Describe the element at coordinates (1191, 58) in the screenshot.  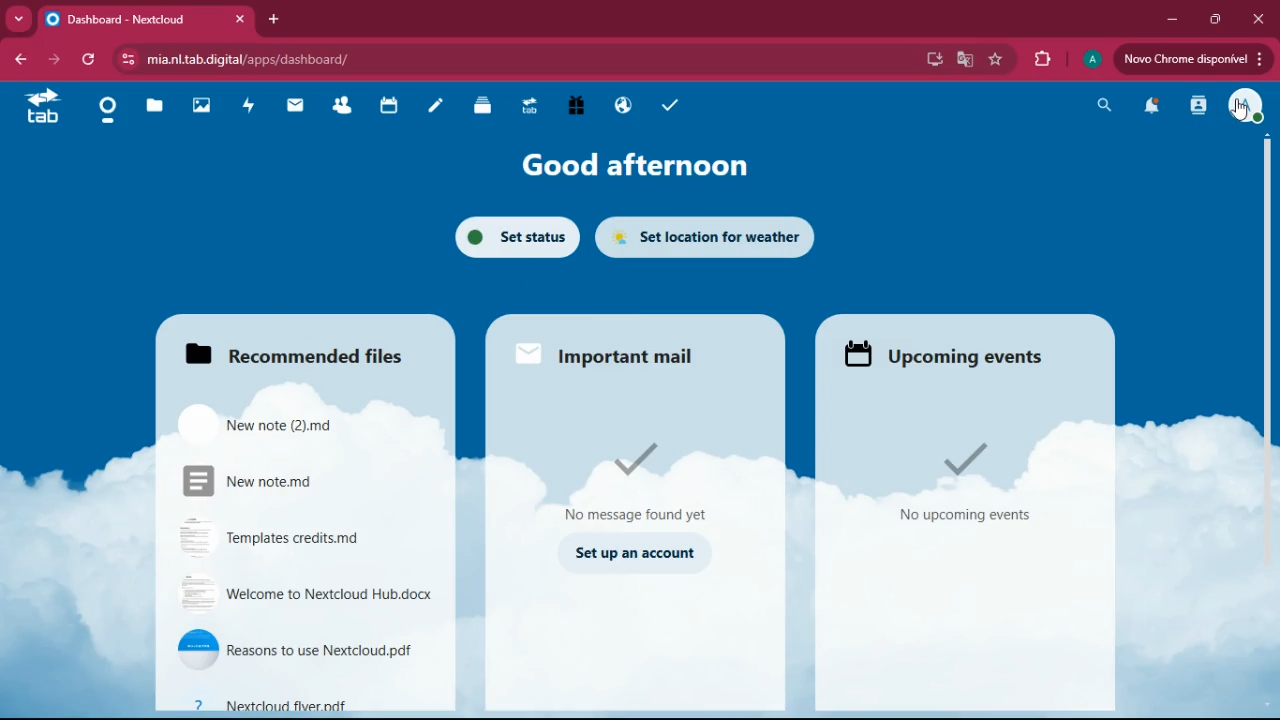
I see `update` at that location.